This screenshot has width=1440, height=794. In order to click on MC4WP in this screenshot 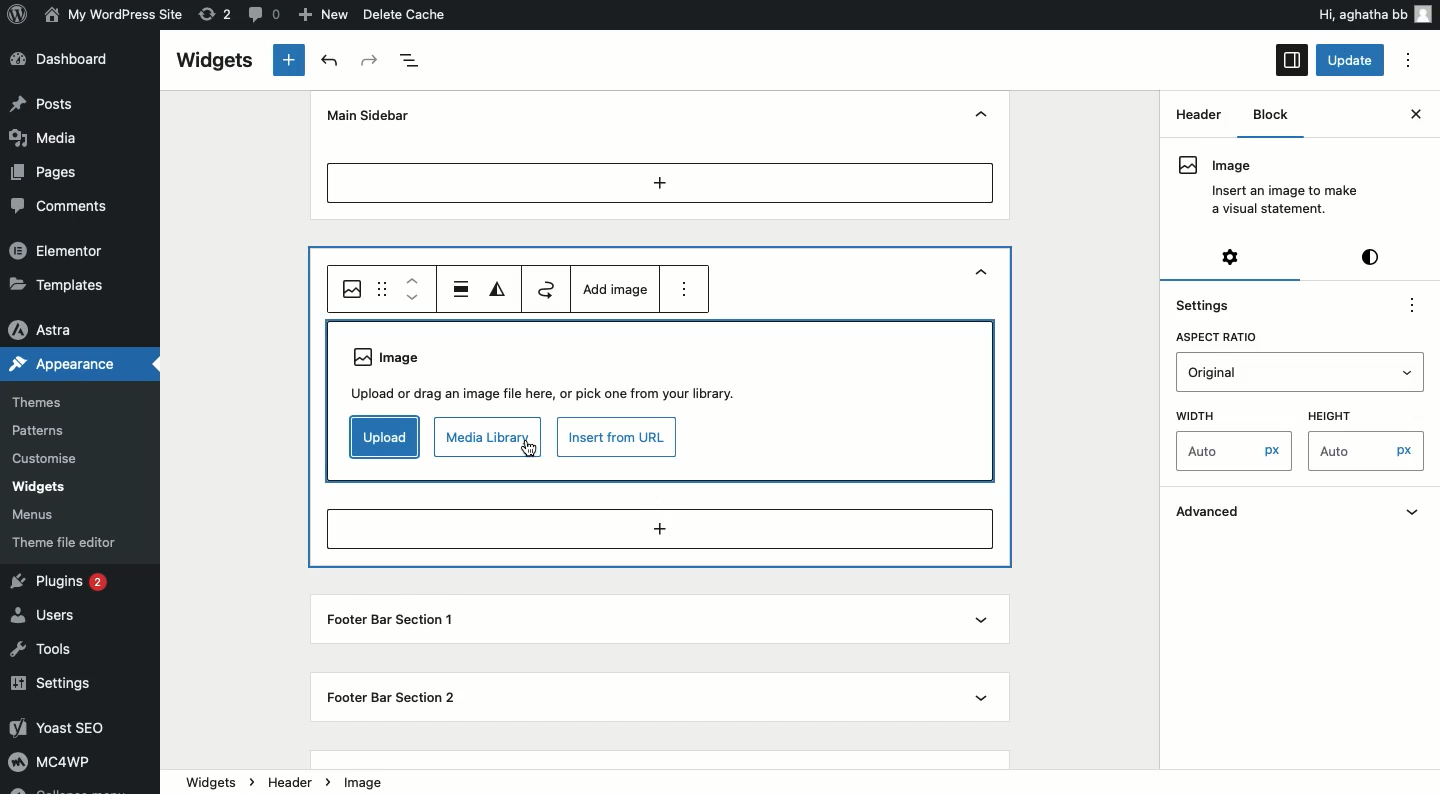, I will do `click(48, 760)`.